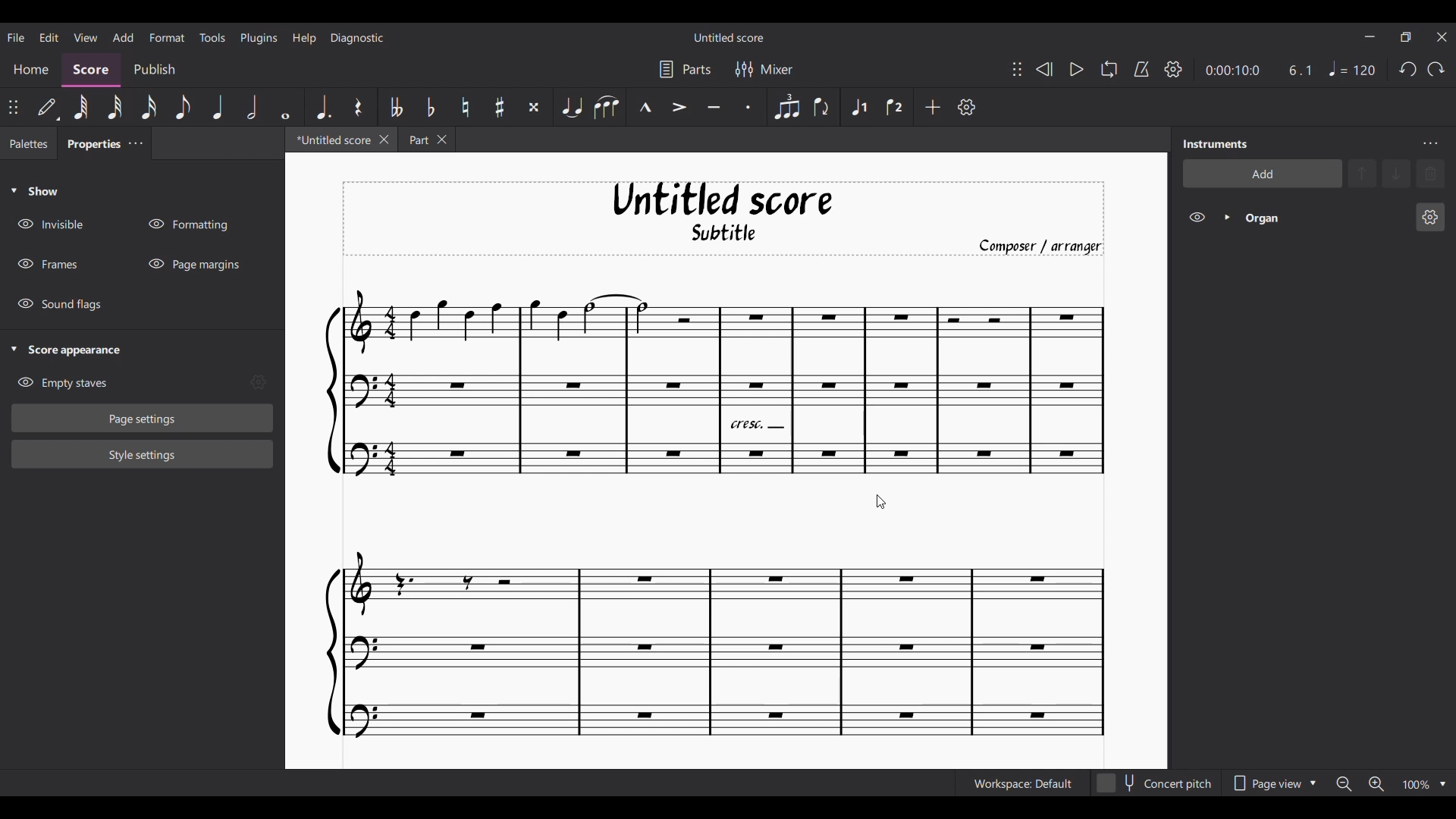 This screenshot has width=1456, height=819. Describe the element at coordinates (426, 139) in the screenshot. I see `Earlier tab` at that location.